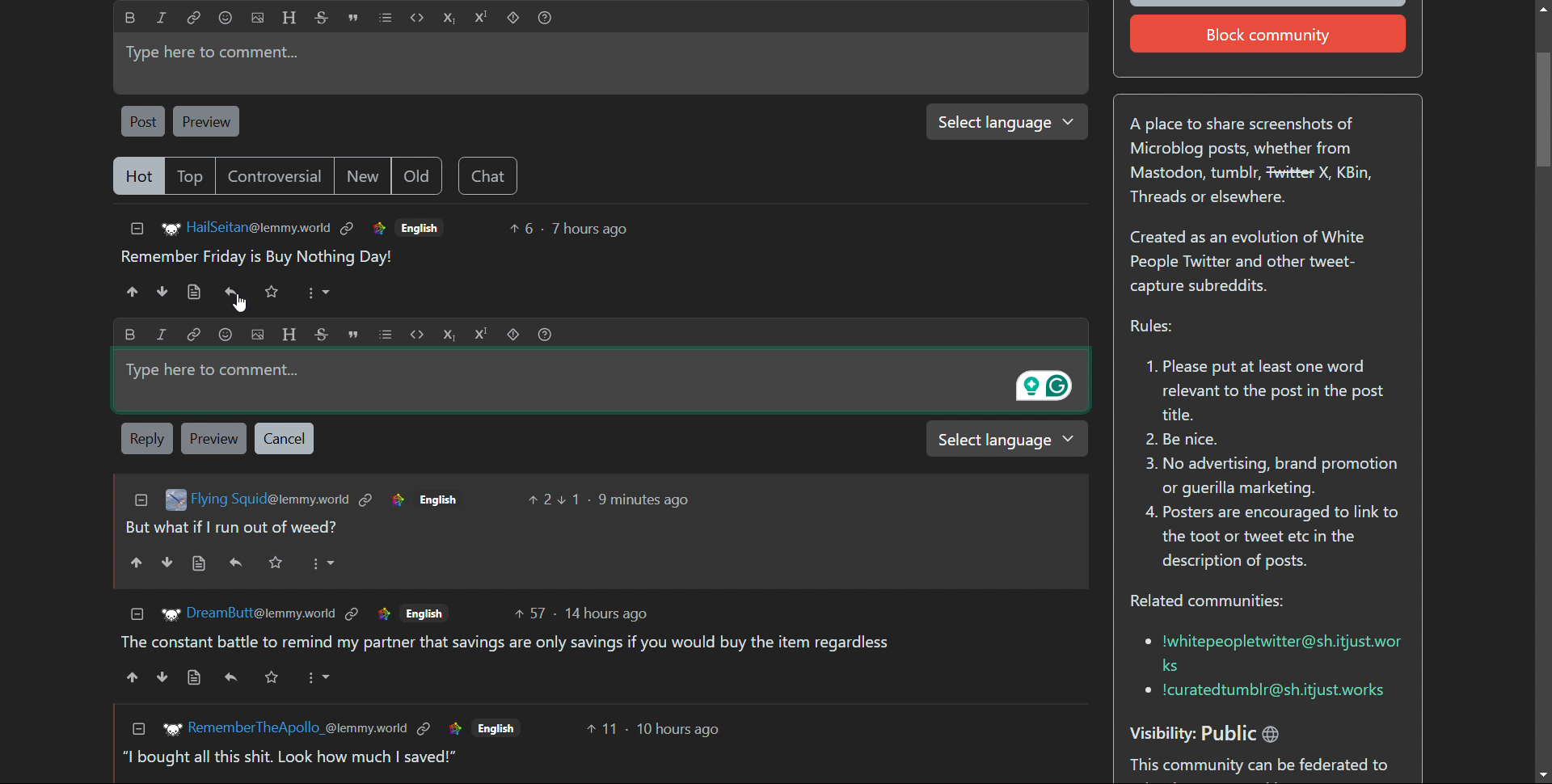 This screenshot has width=1552, height=784. What do you see at coordinates (294, 727) in the screenshot?
I see `username` at bounding box center [294, 727].